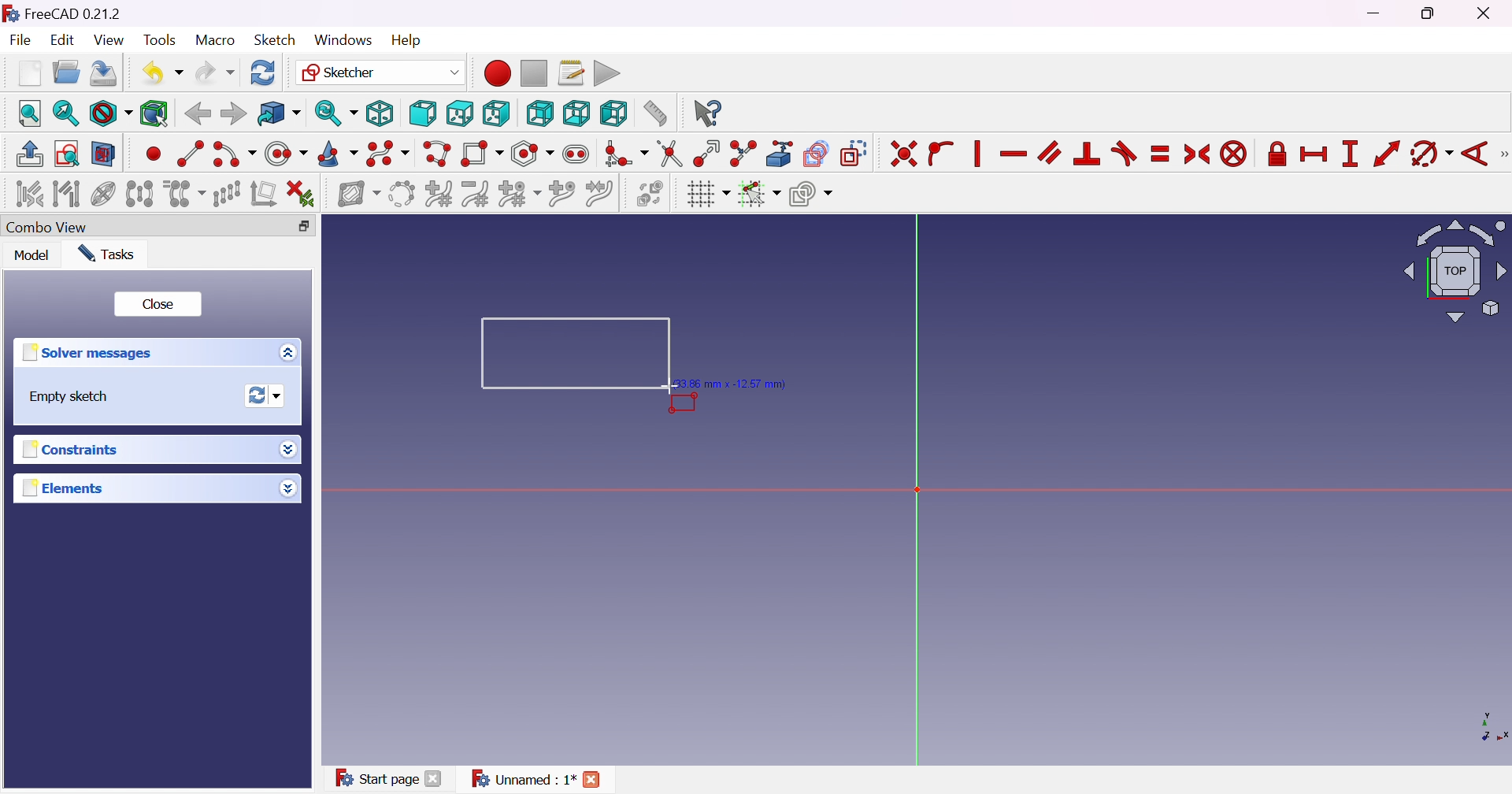  I want to click on Constrain arc or circle, so click(1431, 155).